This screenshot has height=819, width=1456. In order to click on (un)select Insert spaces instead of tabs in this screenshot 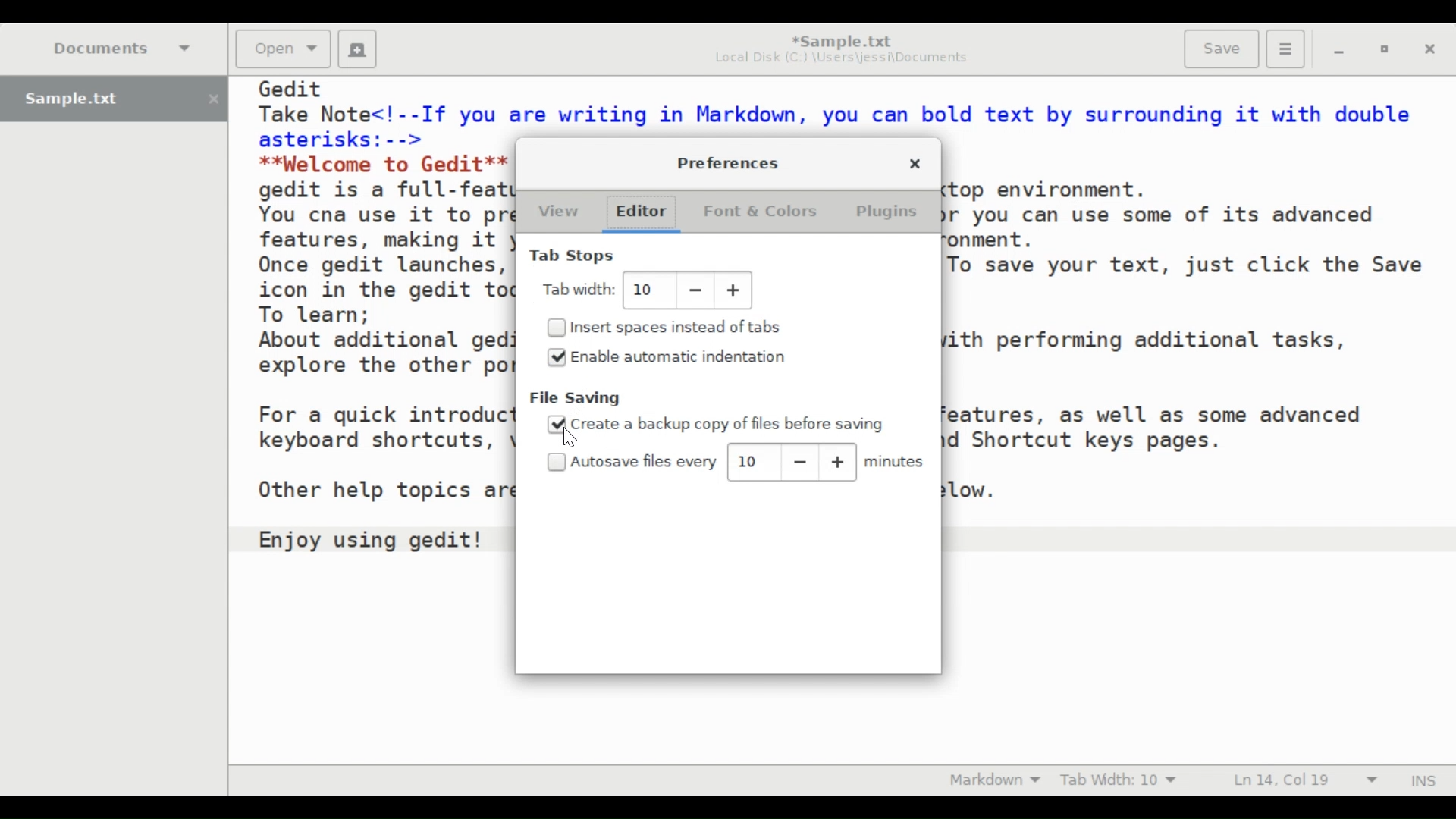, I will do `click(672, 326)`.